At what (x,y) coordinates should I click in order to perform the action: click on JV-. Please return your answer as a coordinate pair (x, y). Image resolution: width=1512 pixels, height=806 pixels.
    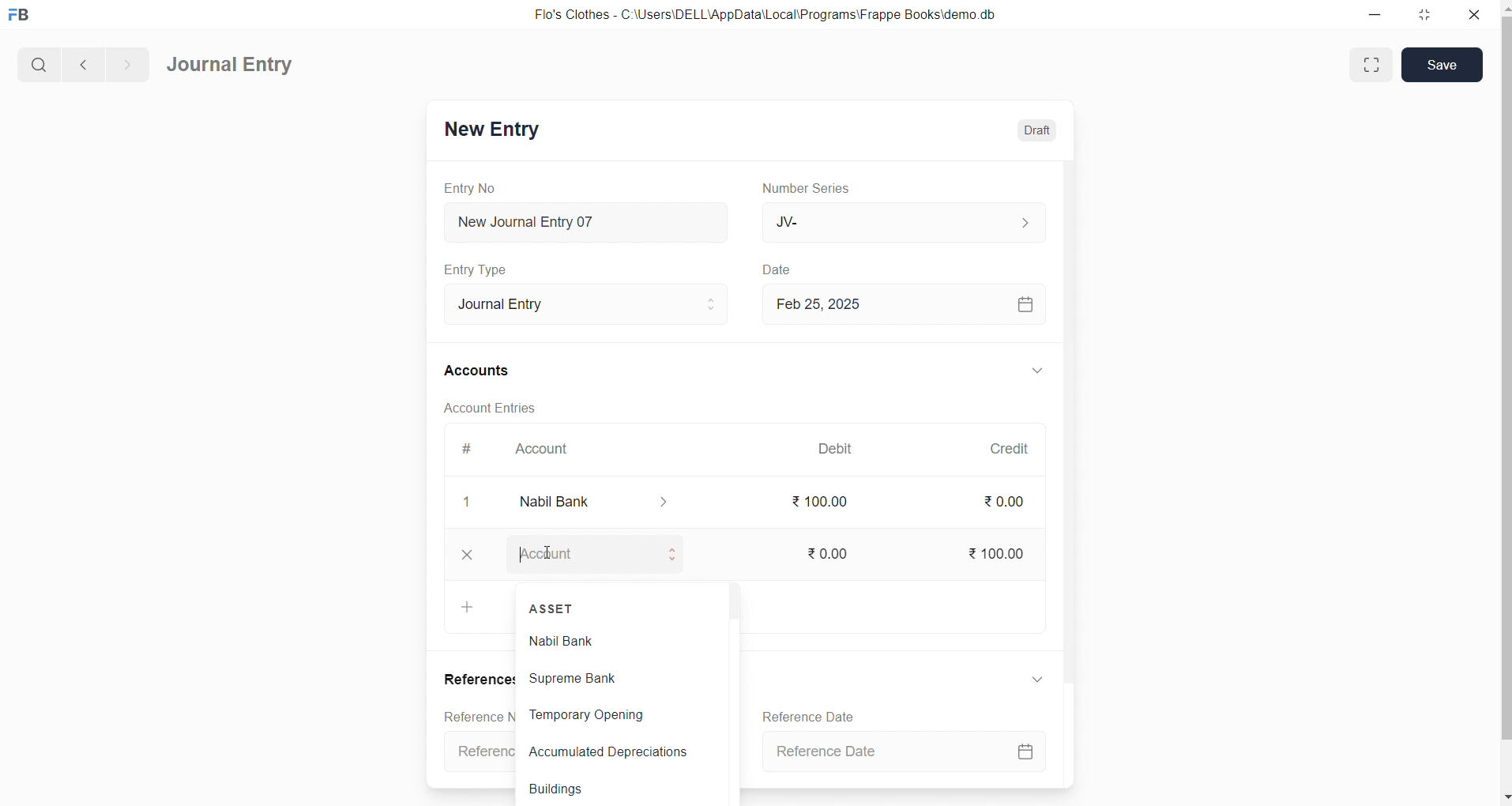
    Looking at the image, I should click on (910, 223).